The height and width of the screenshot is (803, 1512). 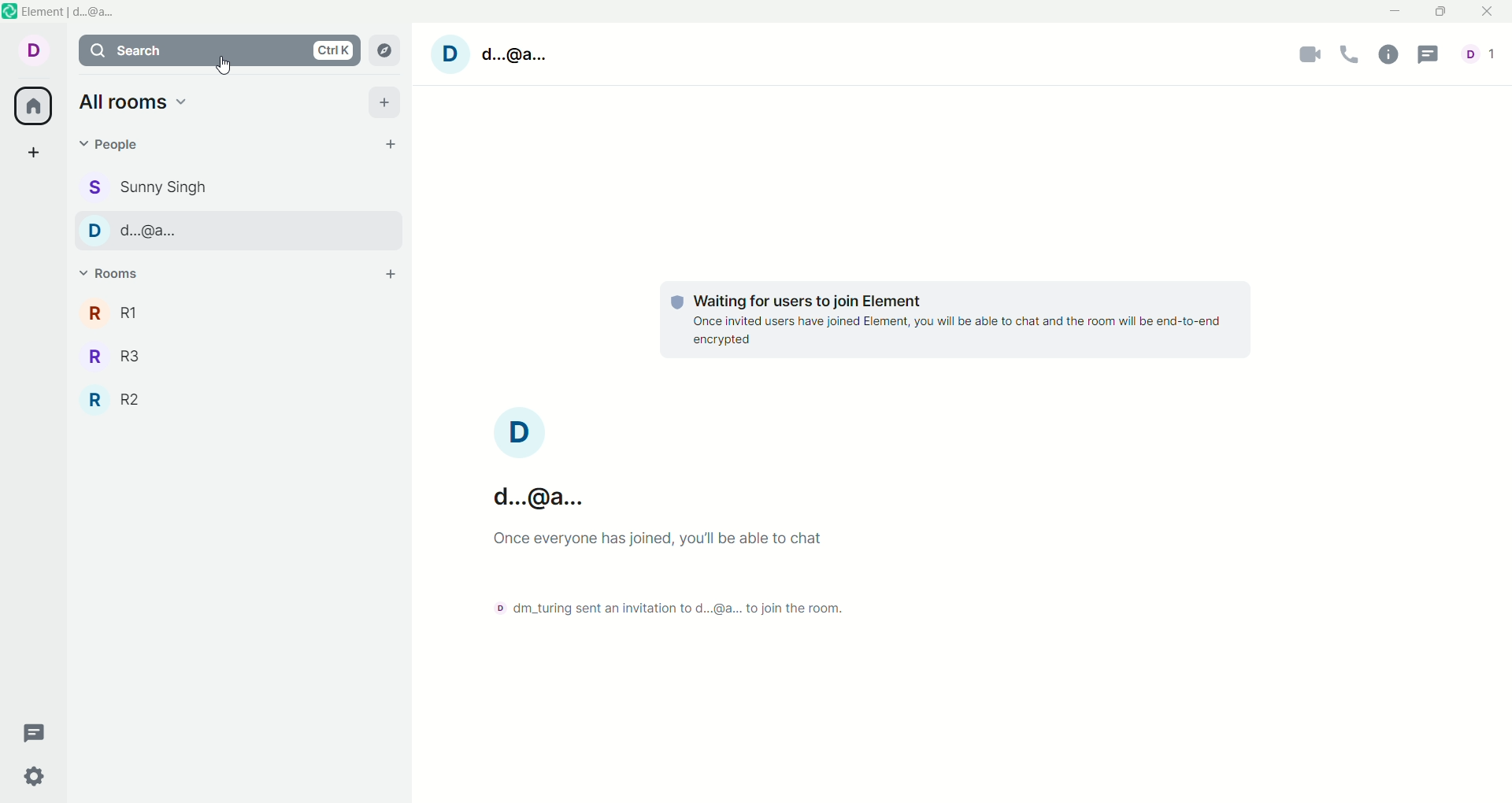 What do you see at coordinates (1429, 54) in the screenshot?
I see `threads` at bounding box center [1429, 54].